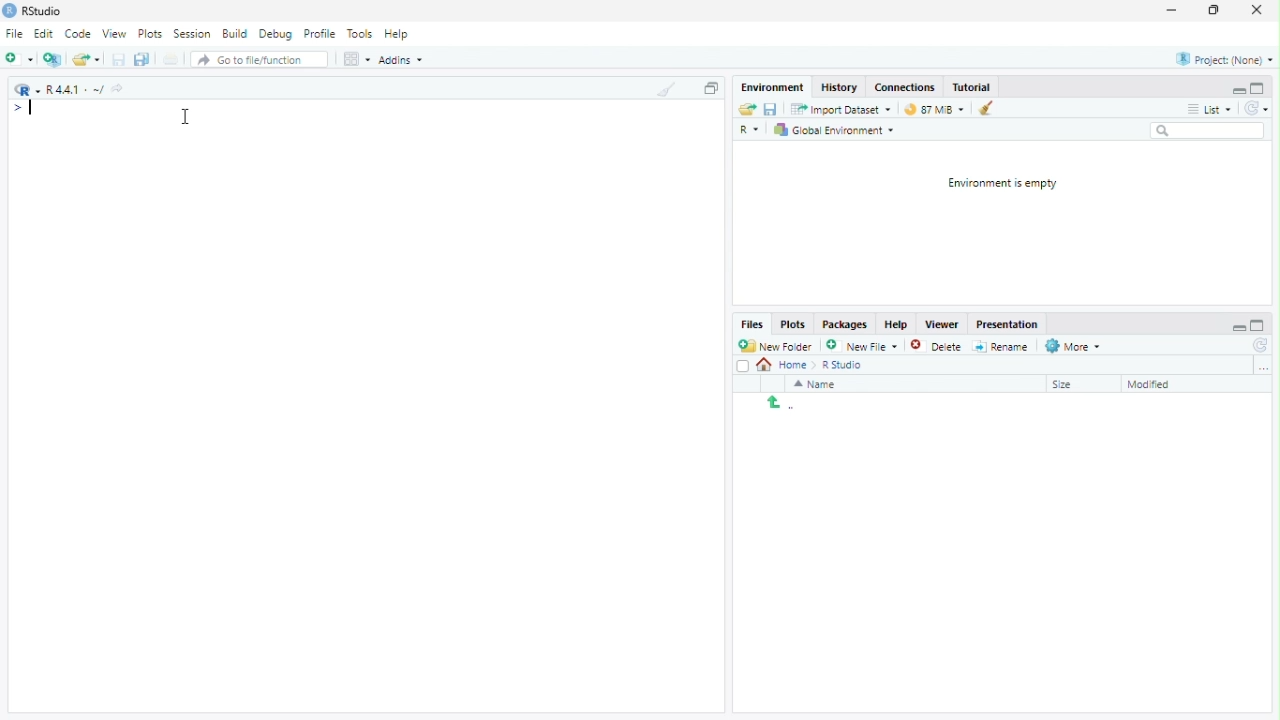 This screenshot has height=720, width=1280. What do you see at coordinates (860, 345) in the screenshot?
I see `New File` at bounding box center [860, 345].